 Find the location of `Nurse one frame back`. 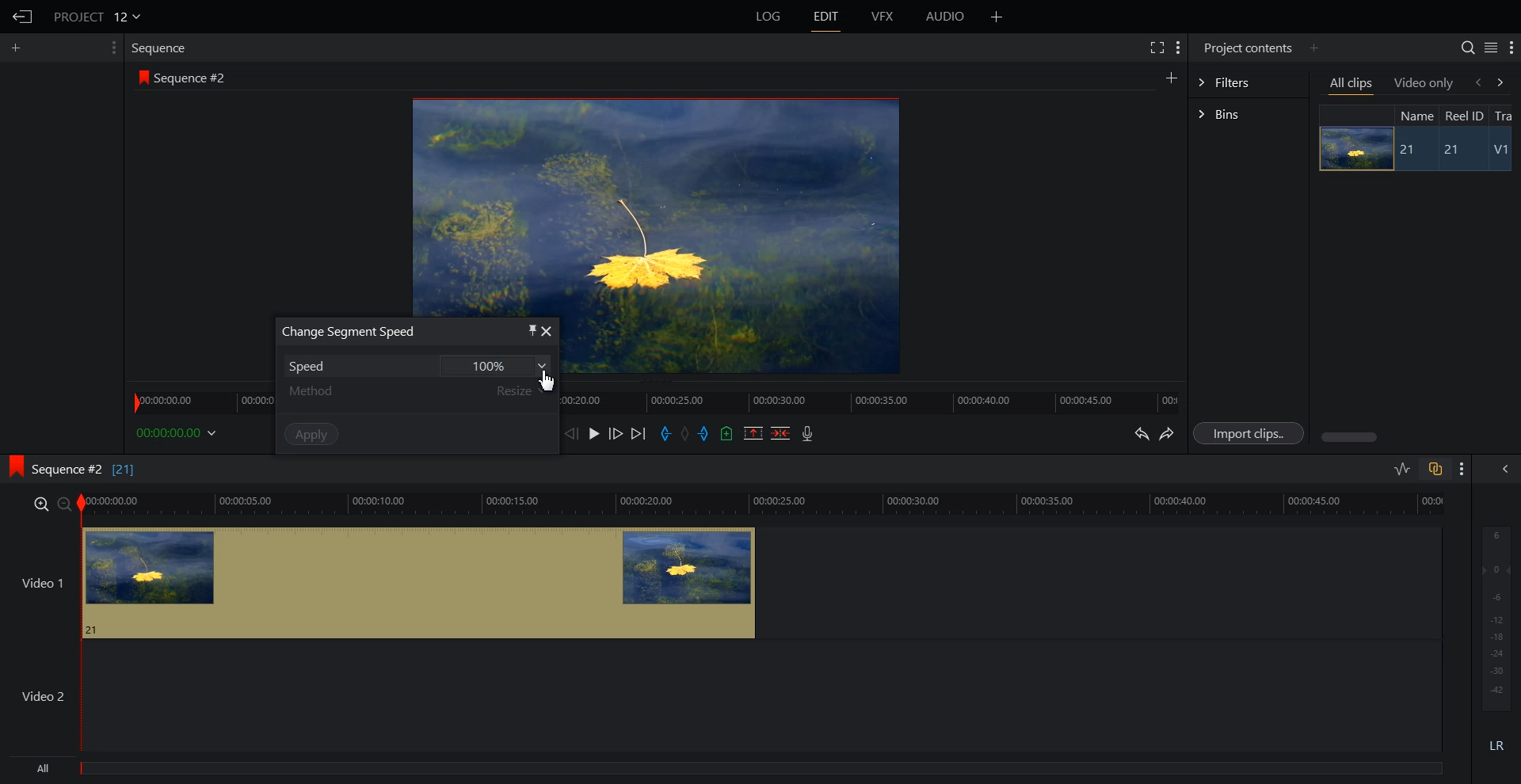

Nurse one frame back is located at coordinates (572, 433).